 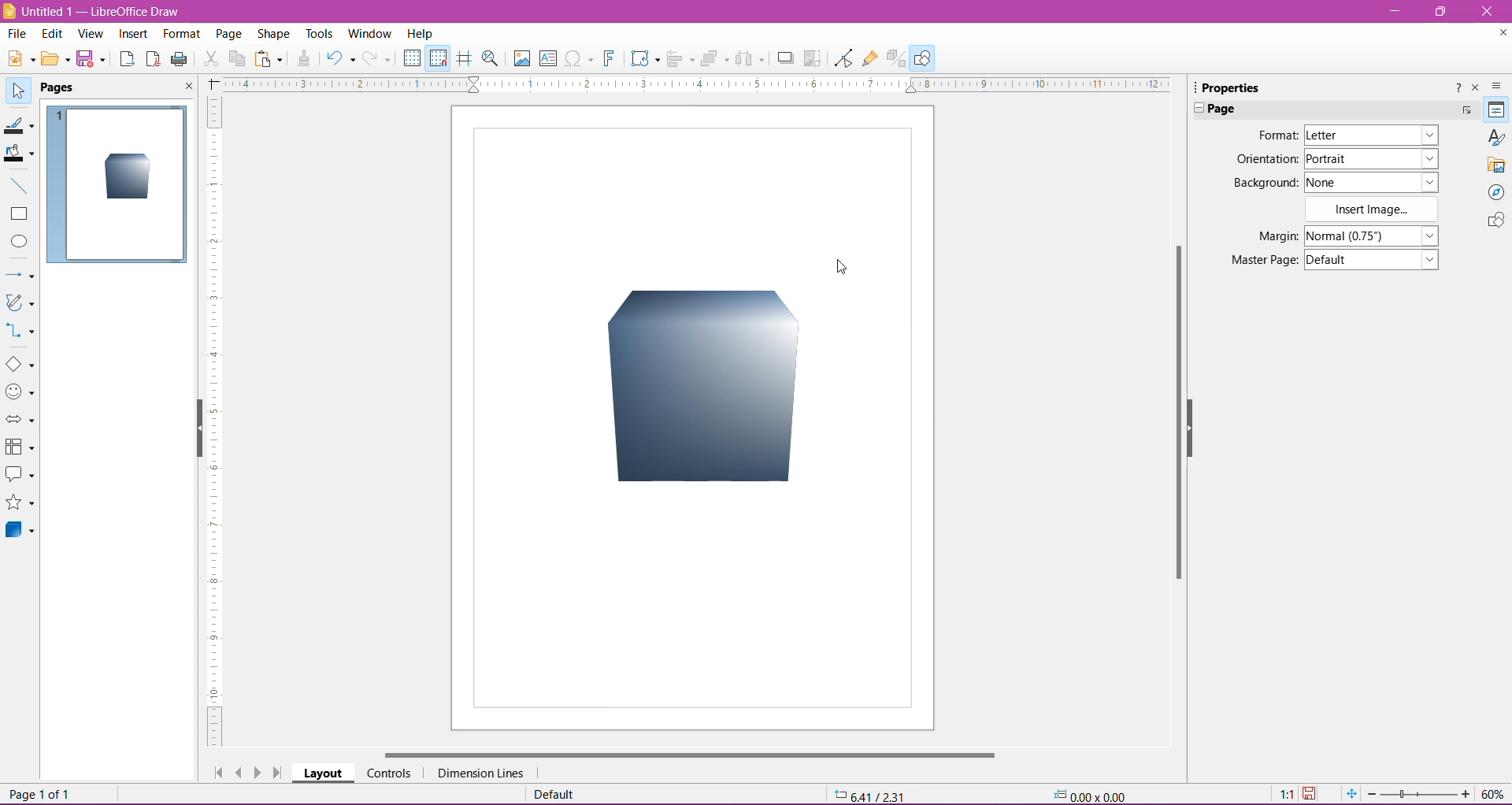 I want to click on Bock Arrows, so click(x=20, y=421).